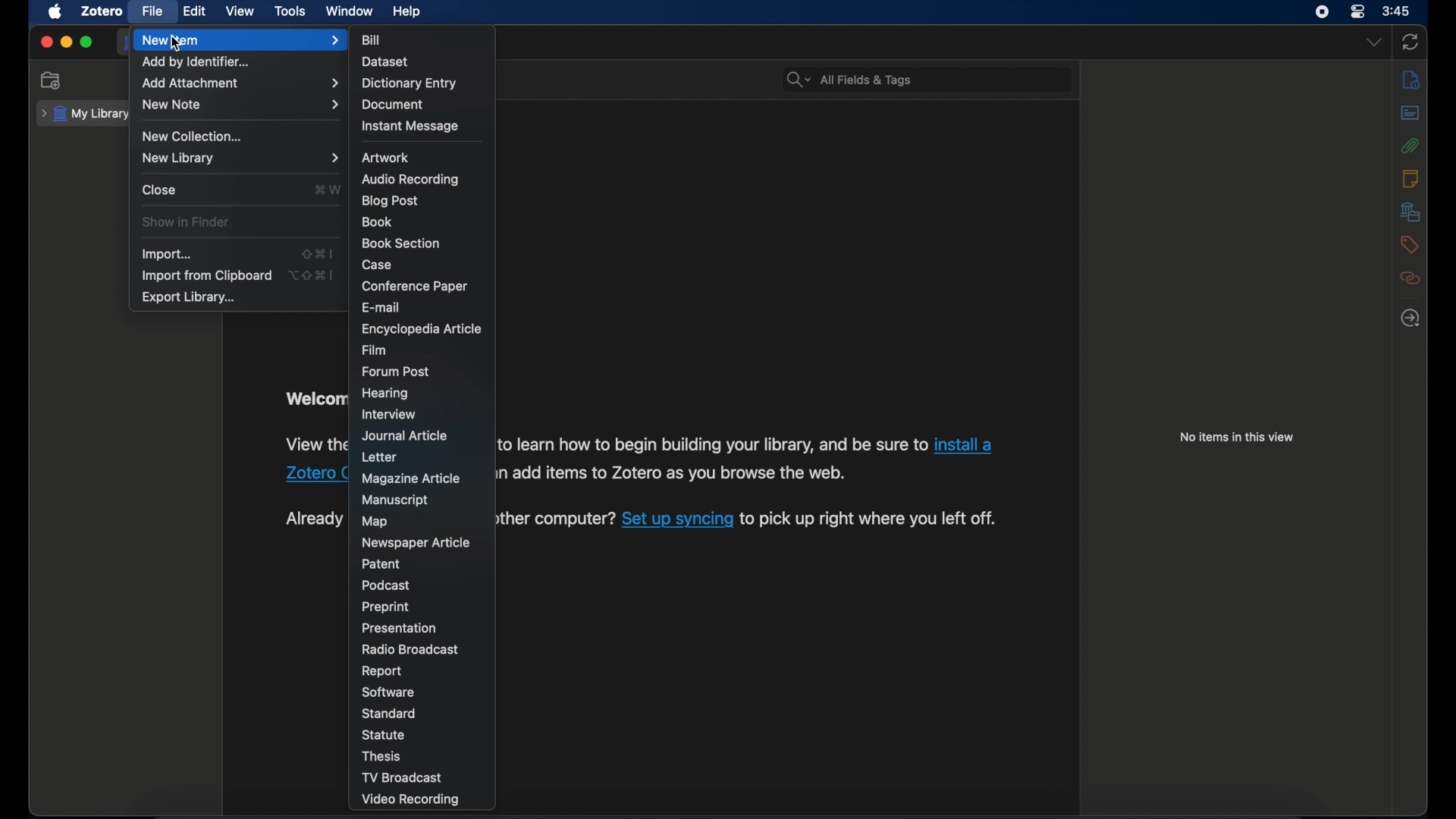  I want to click on patent, so click(382, 563).